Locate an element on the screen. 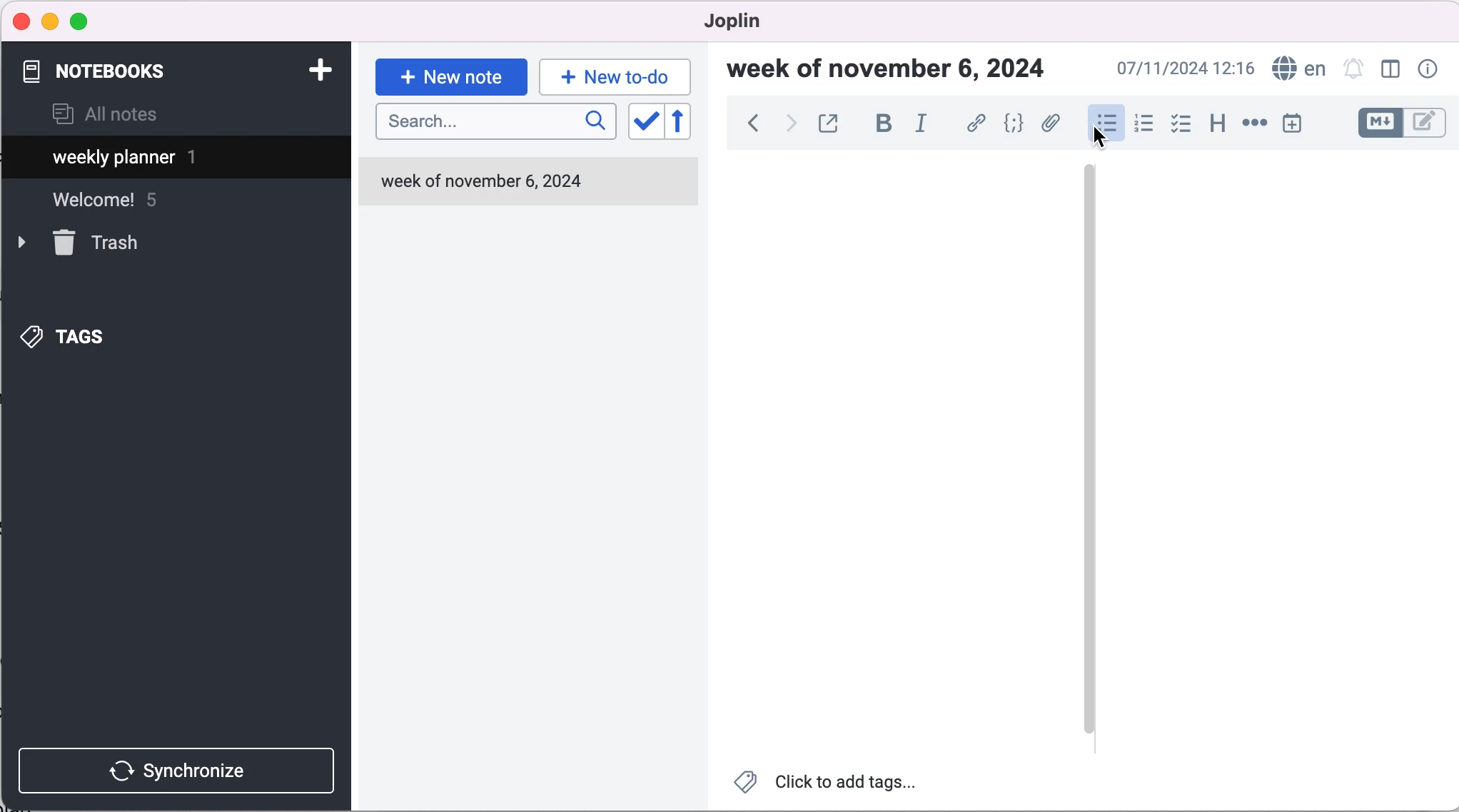 Image resolution: width=1459 pixels, height=812 pixels. close is located at coordinates (22, 21).